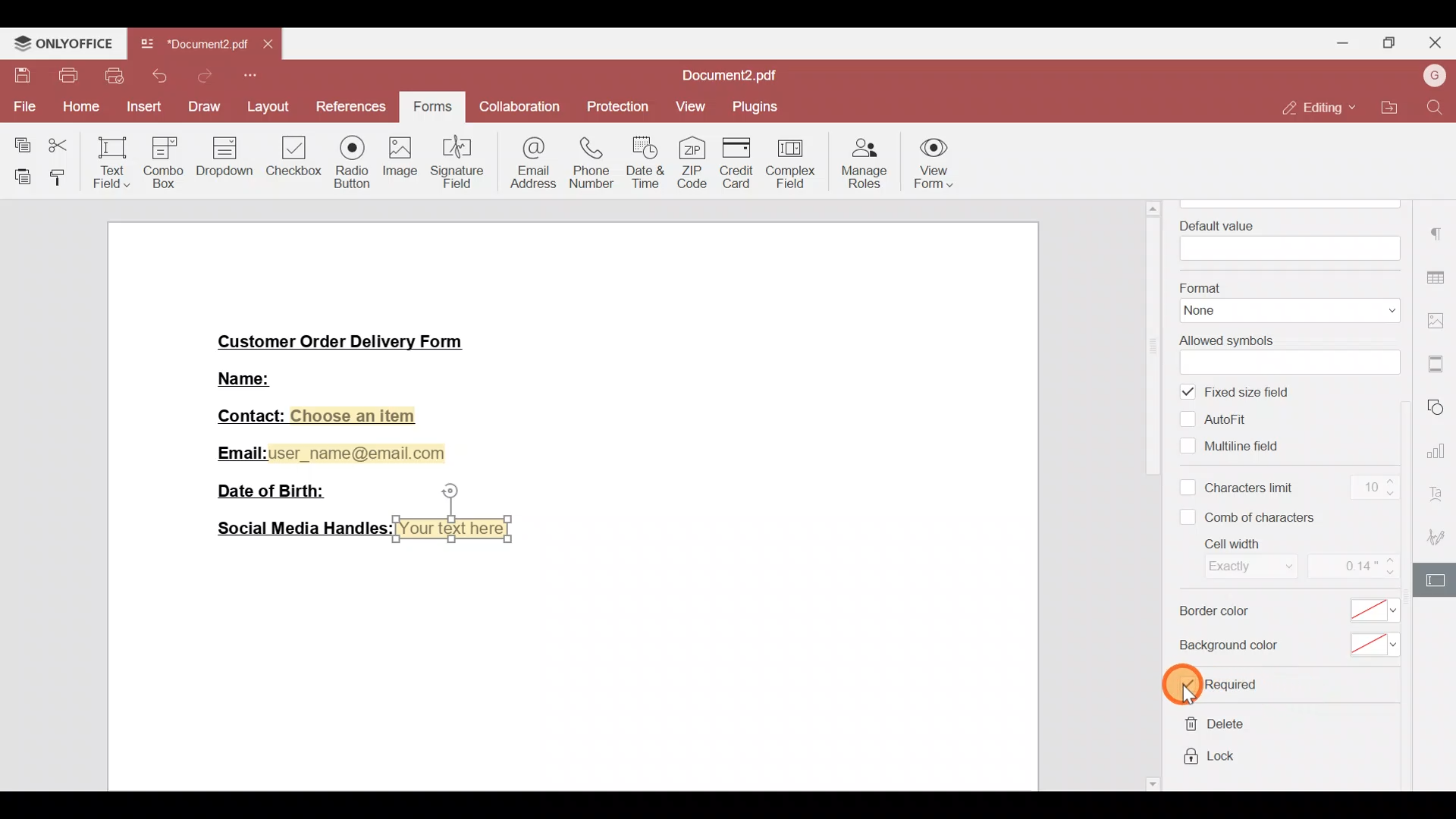  Describe the element at coordinates (645, 162) in the screenshot. I see `Date & time` at that location.